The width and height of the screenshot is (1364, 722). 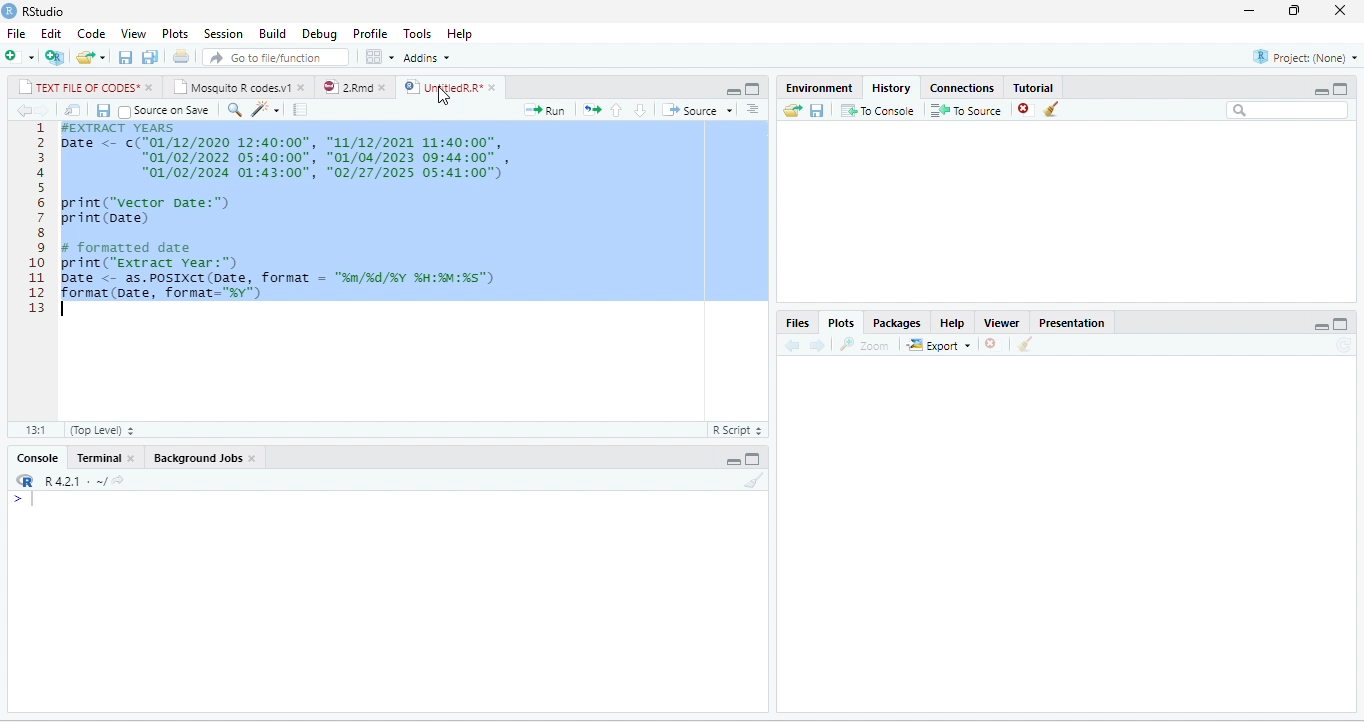 I want to click on rerun, so click(x=591, y=109).